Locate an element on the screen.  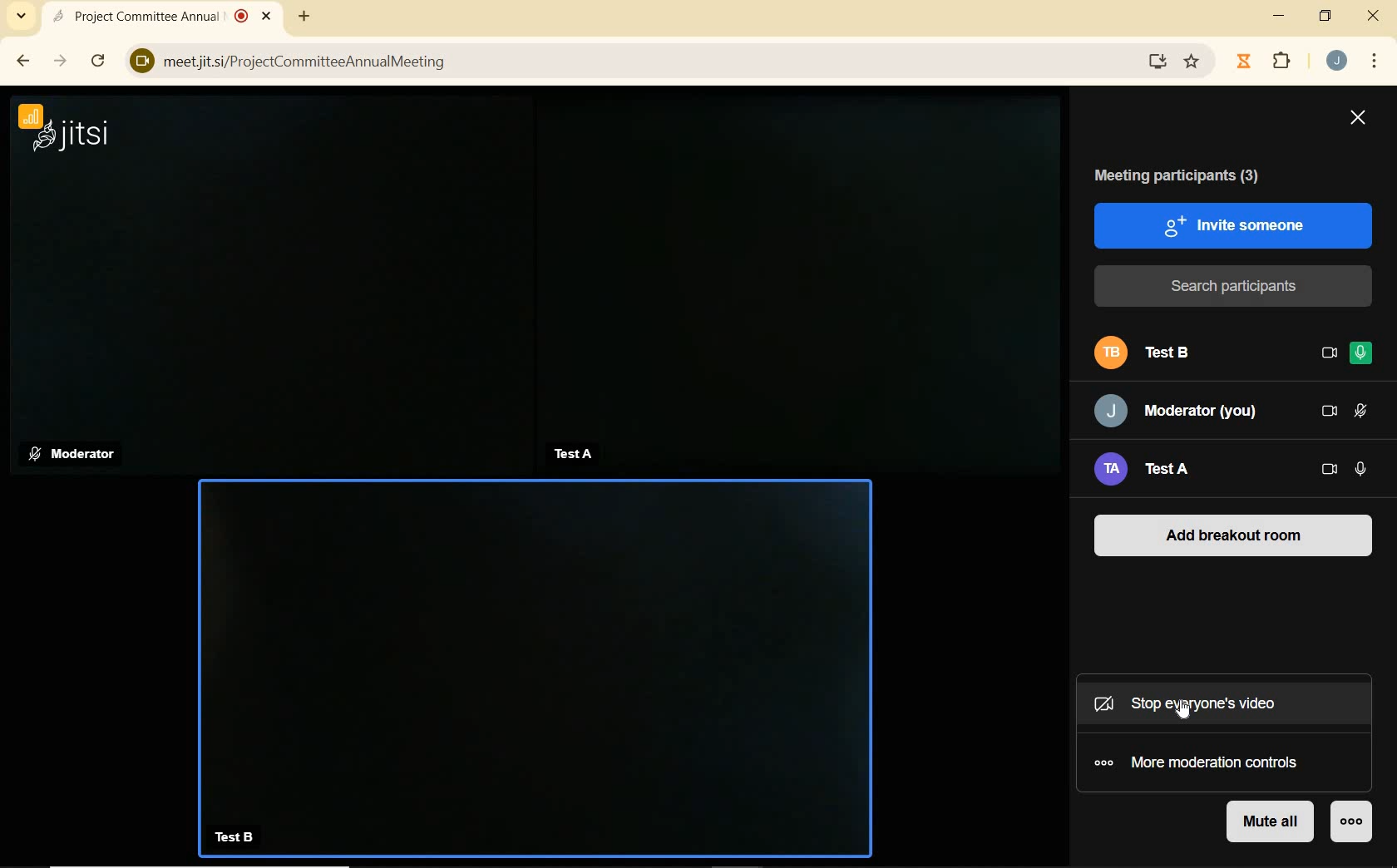
MORE ACTIONS is located at coordinates (1350, 822).